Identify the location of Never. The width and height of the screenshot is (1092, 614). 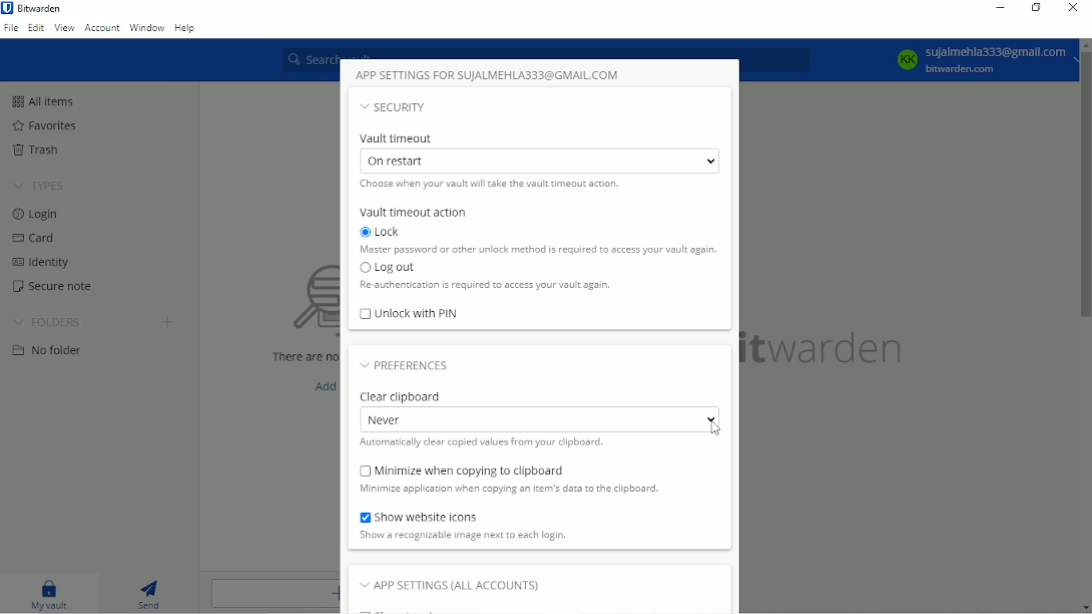
(538, 421).